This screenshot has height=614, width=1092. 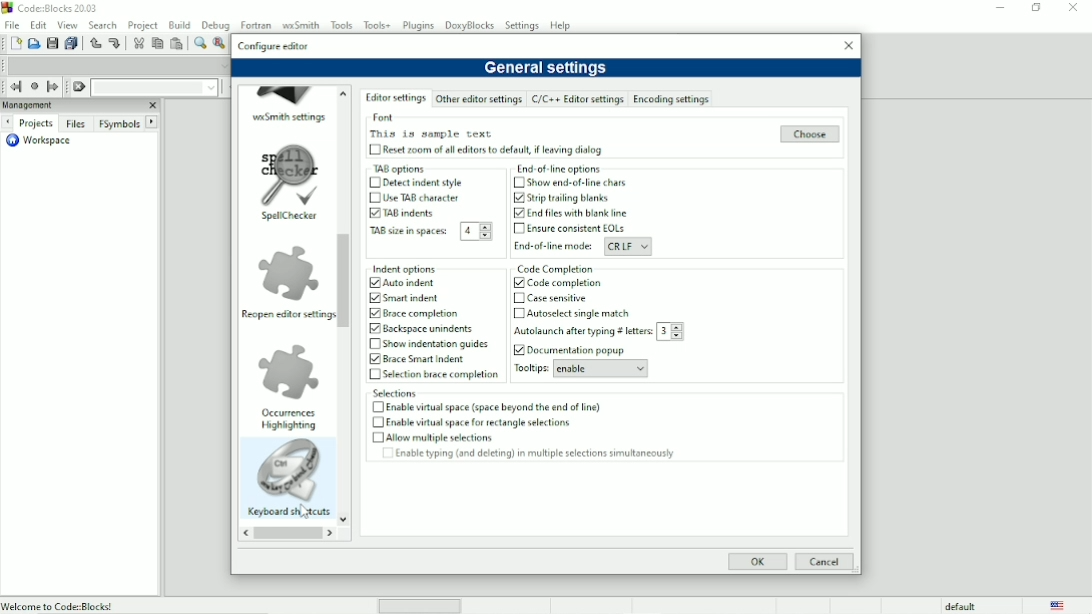 What do you see at coordinates (645, 247) in the screenshot?
I see `Drop down` at bounding box center [645, 247].